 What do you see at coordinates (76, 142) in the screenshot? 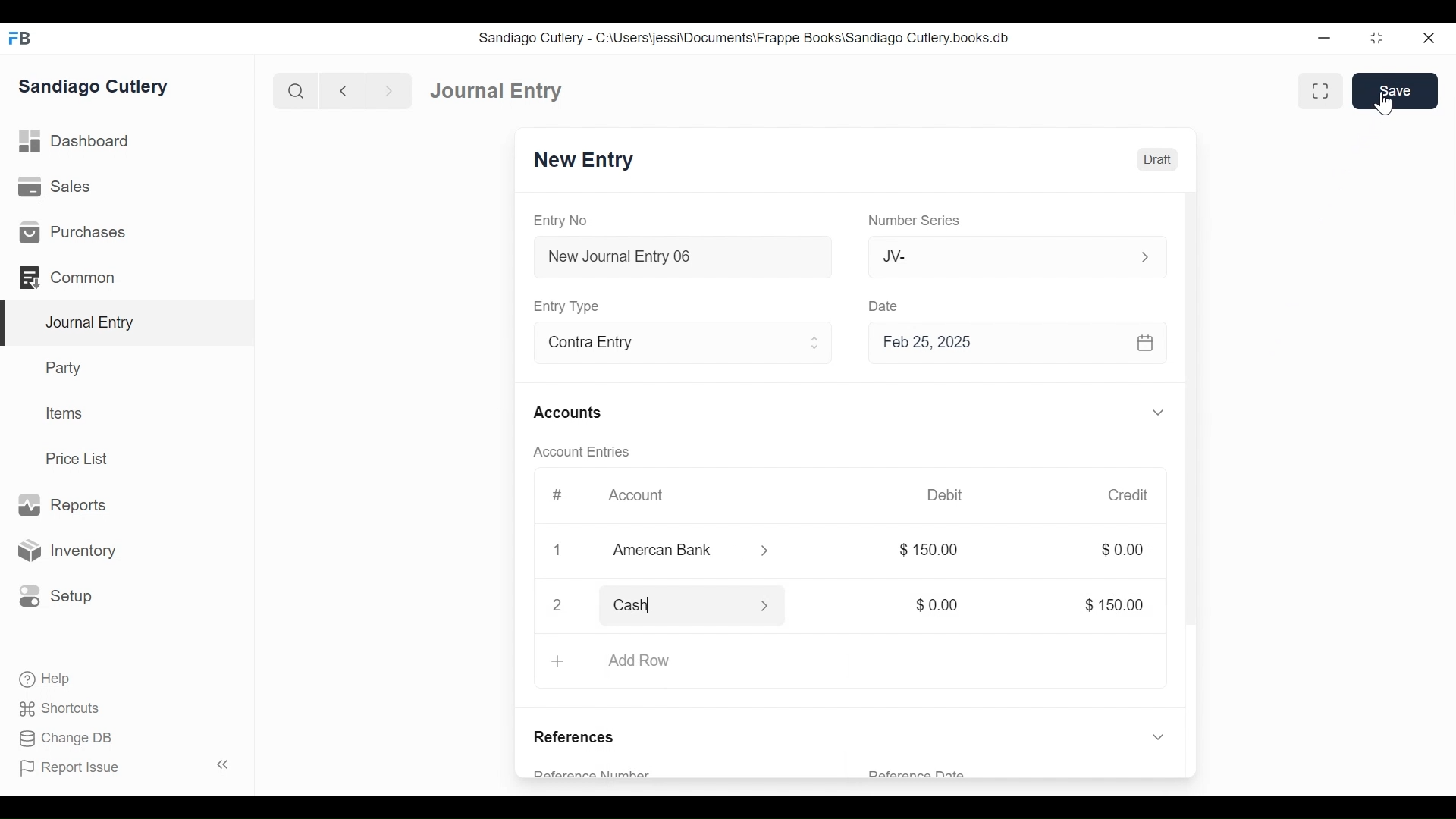
I see `Dashboard` at bounding box center [76, 142].